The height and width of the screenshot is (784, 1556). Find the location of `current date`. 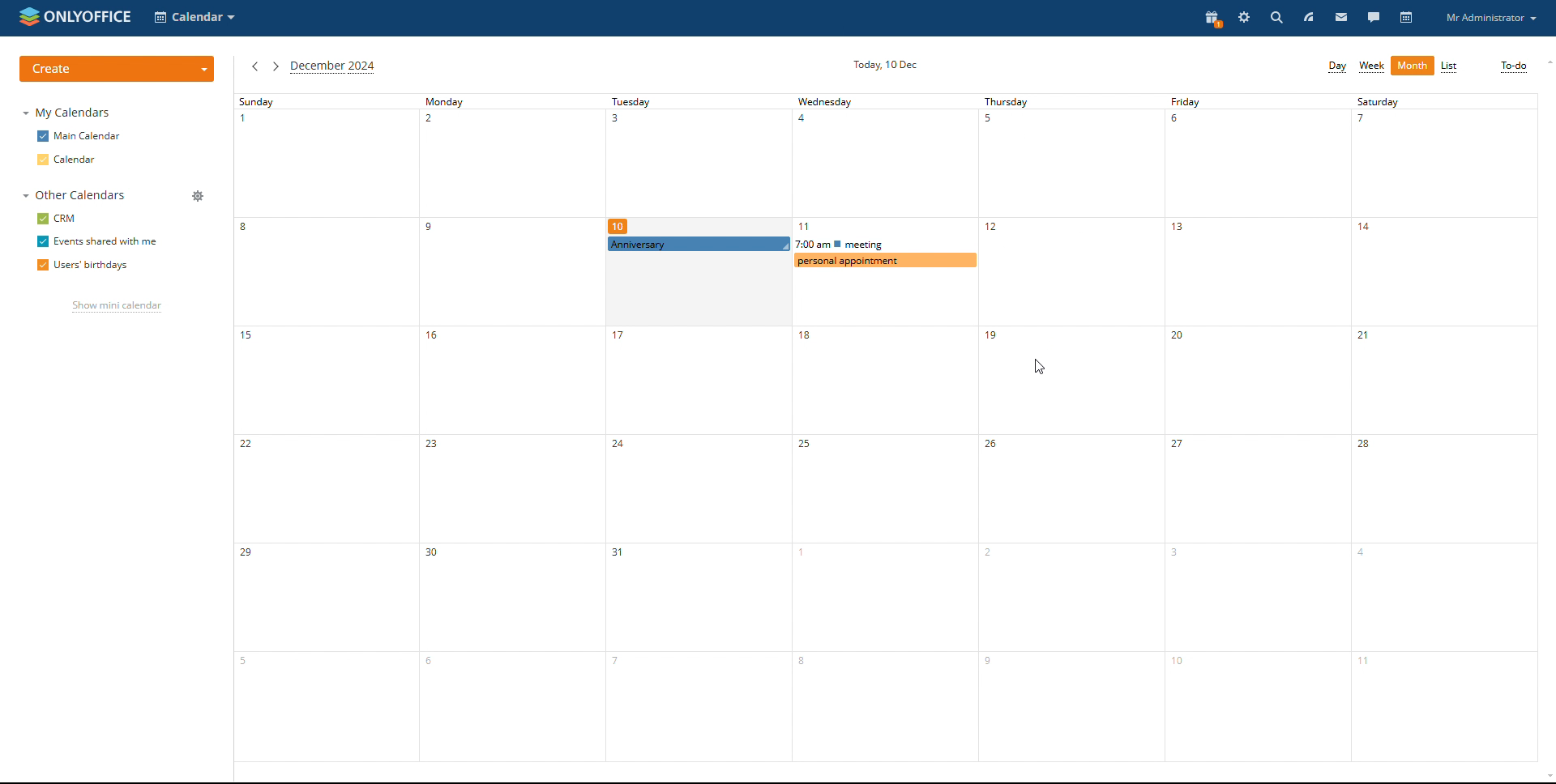

current date is located at coordinates (885, 65).